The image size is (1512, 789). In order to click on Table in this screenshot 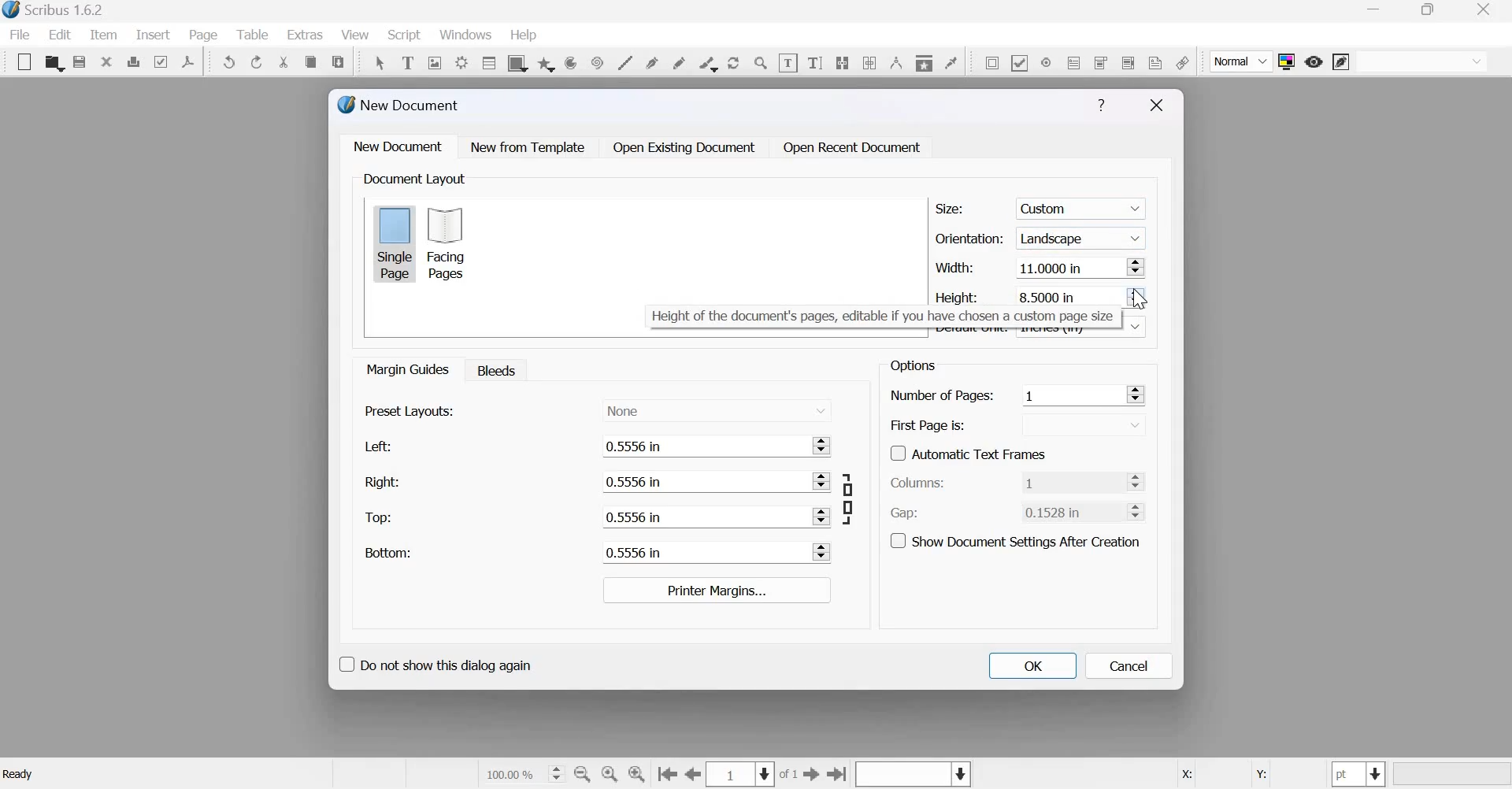, I will do `click(254, 35)`.